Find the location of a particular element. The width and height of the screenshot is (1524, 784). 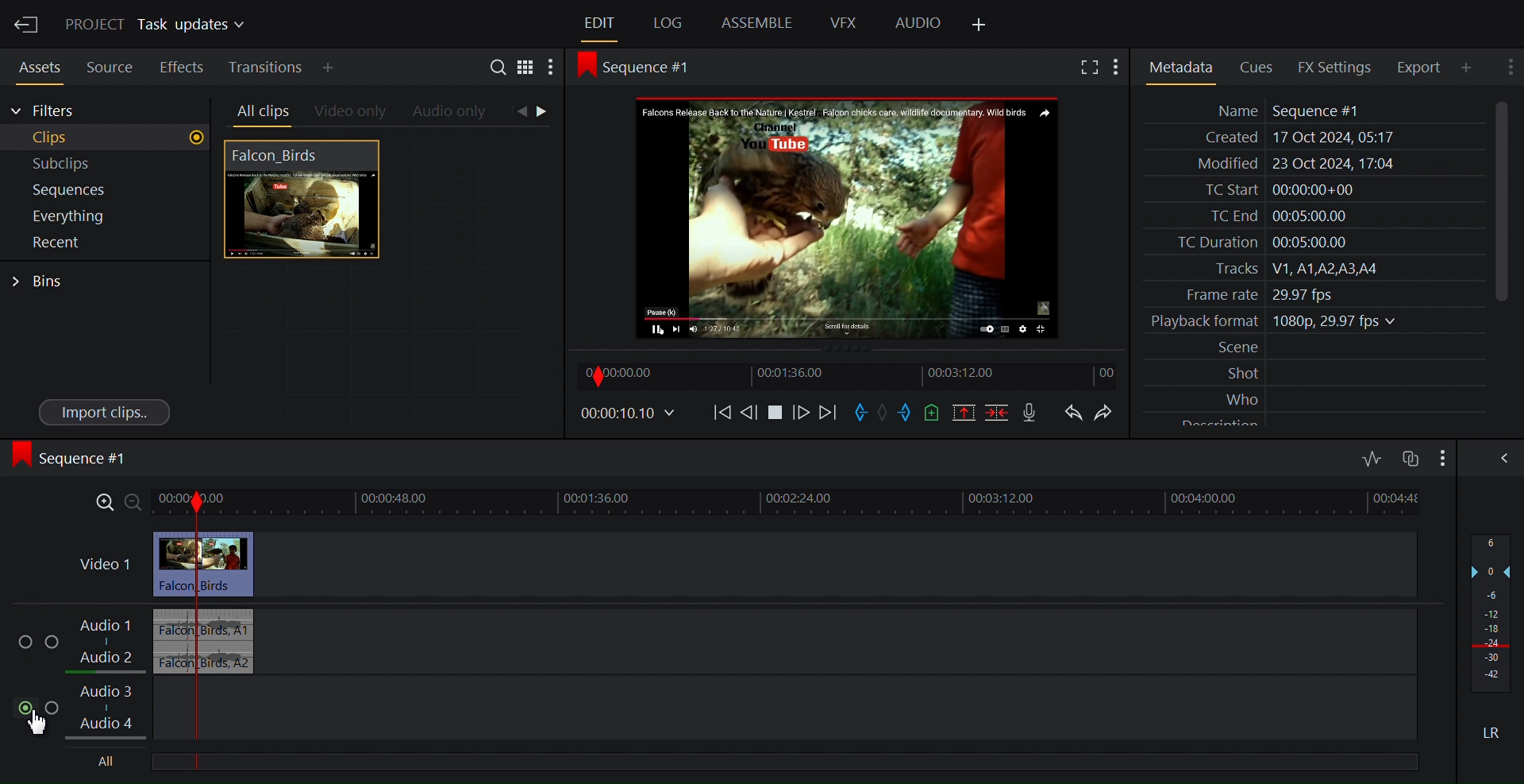

TC Start is located at coordinates (1311, 190).